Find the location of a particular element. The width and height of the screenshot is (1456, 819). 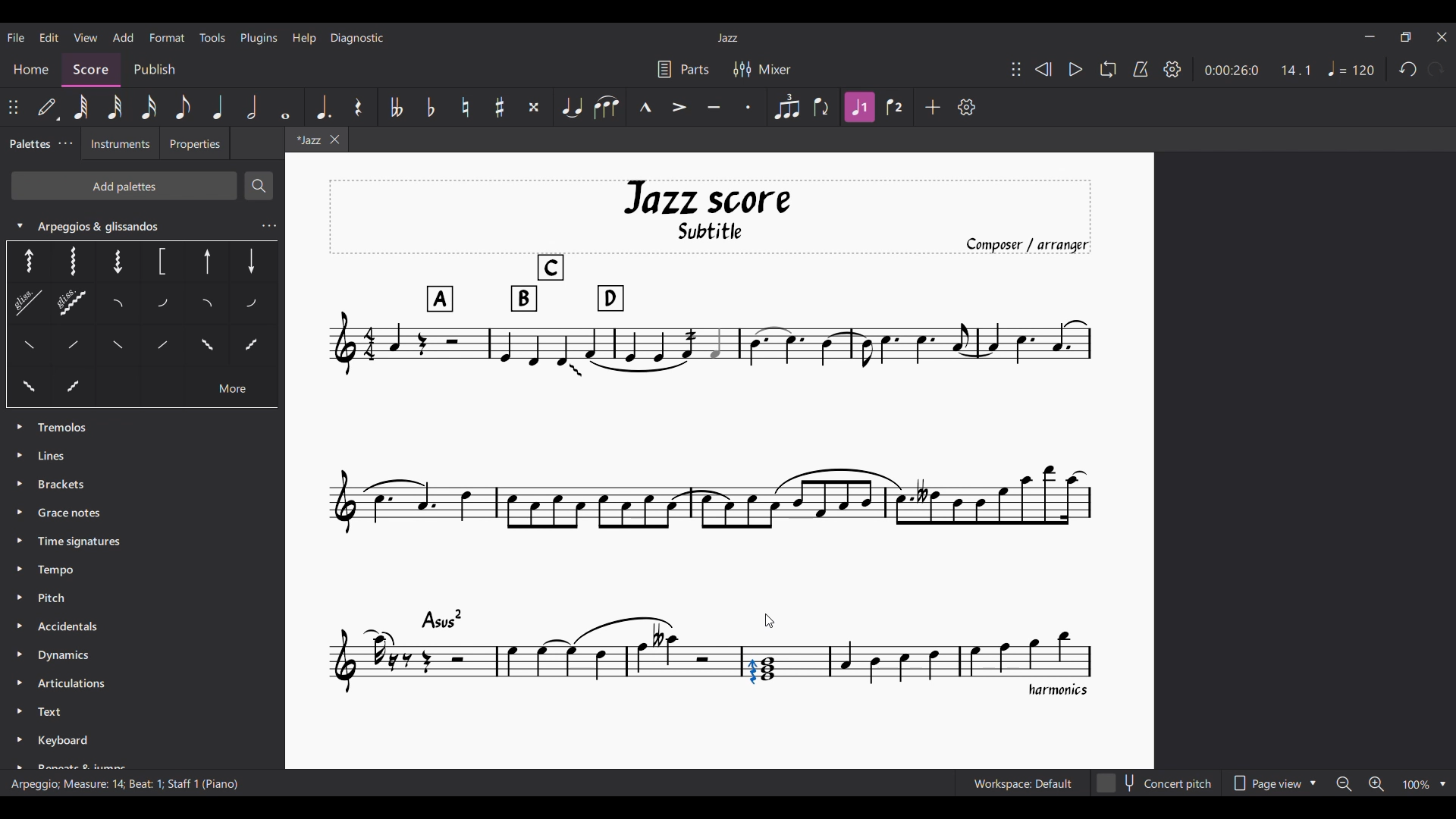

Current score is located at coordinates (713, 440).